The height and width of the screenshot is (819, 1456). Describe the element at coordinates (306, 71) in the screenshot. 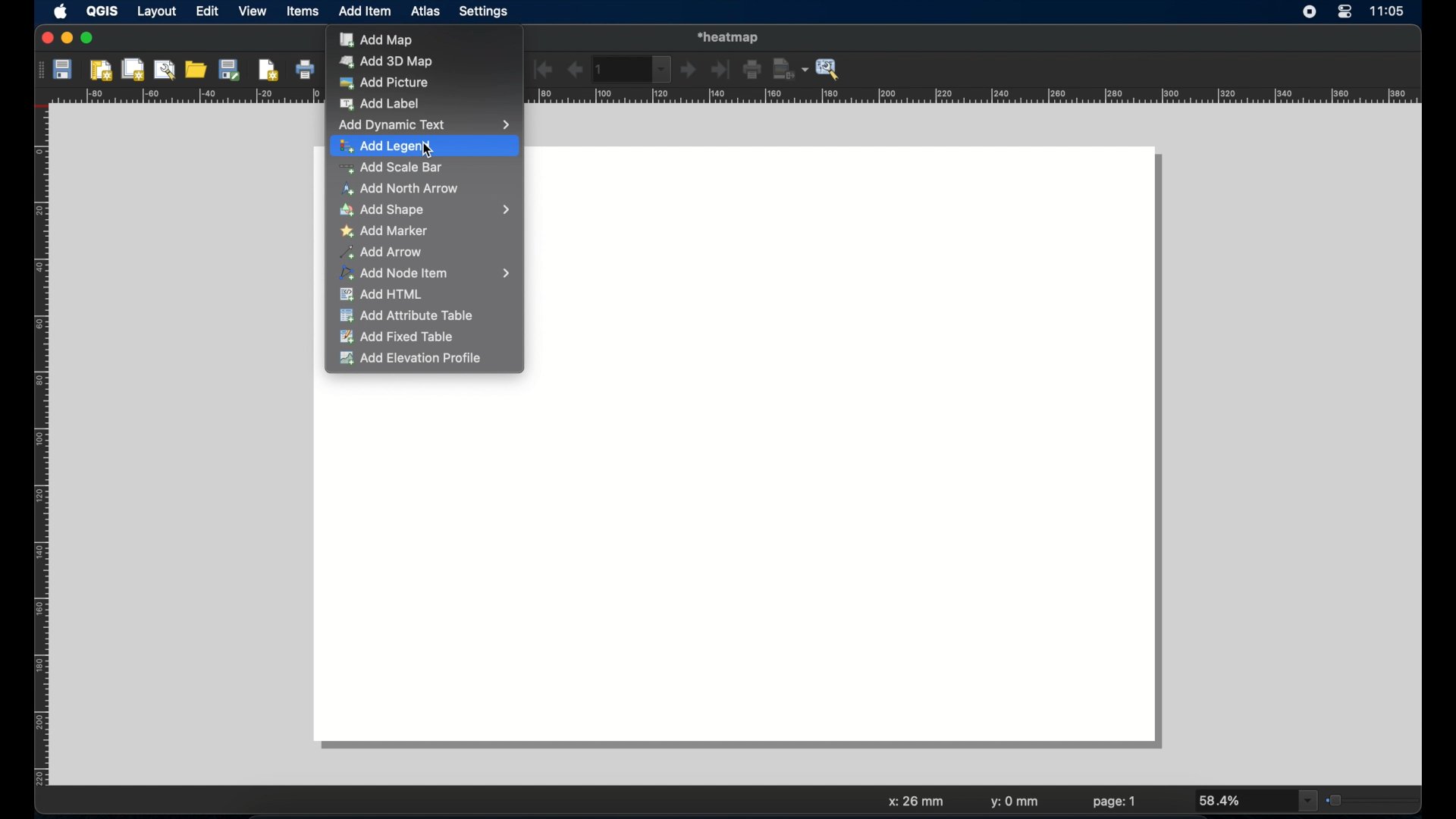

I see `print layout` at that location.